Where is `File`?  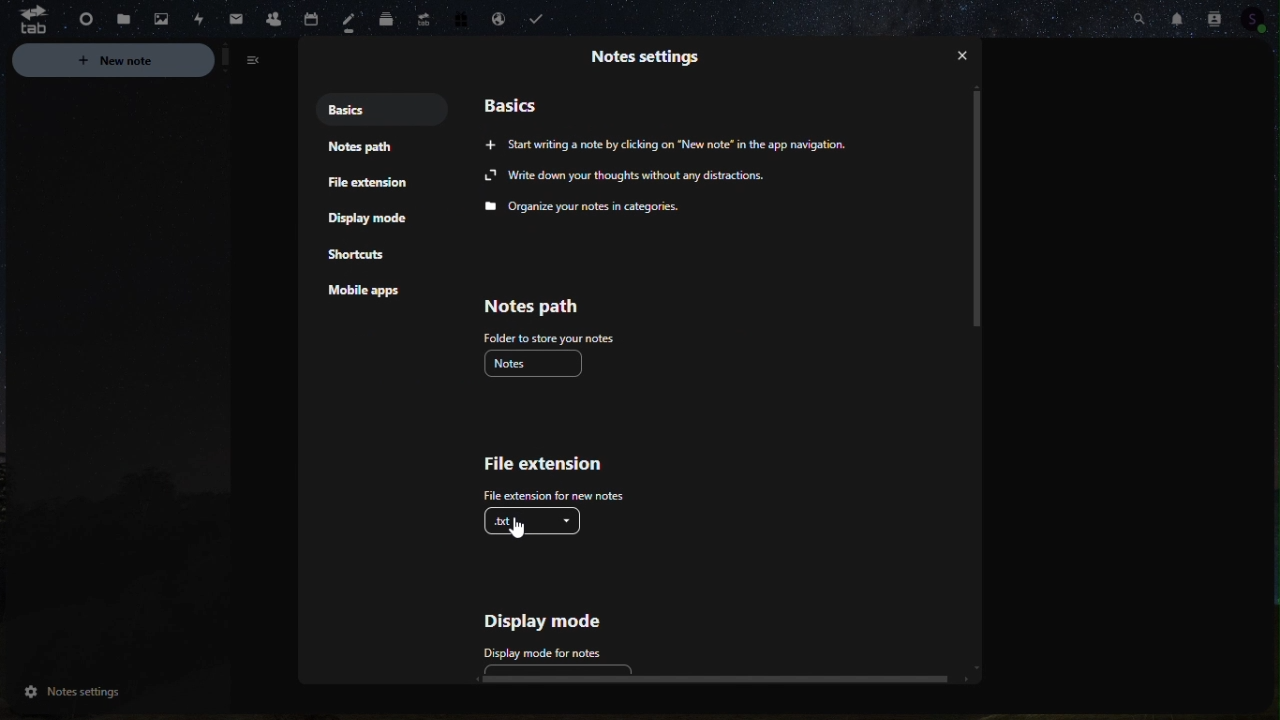
File is located at coordinates (116, 20).